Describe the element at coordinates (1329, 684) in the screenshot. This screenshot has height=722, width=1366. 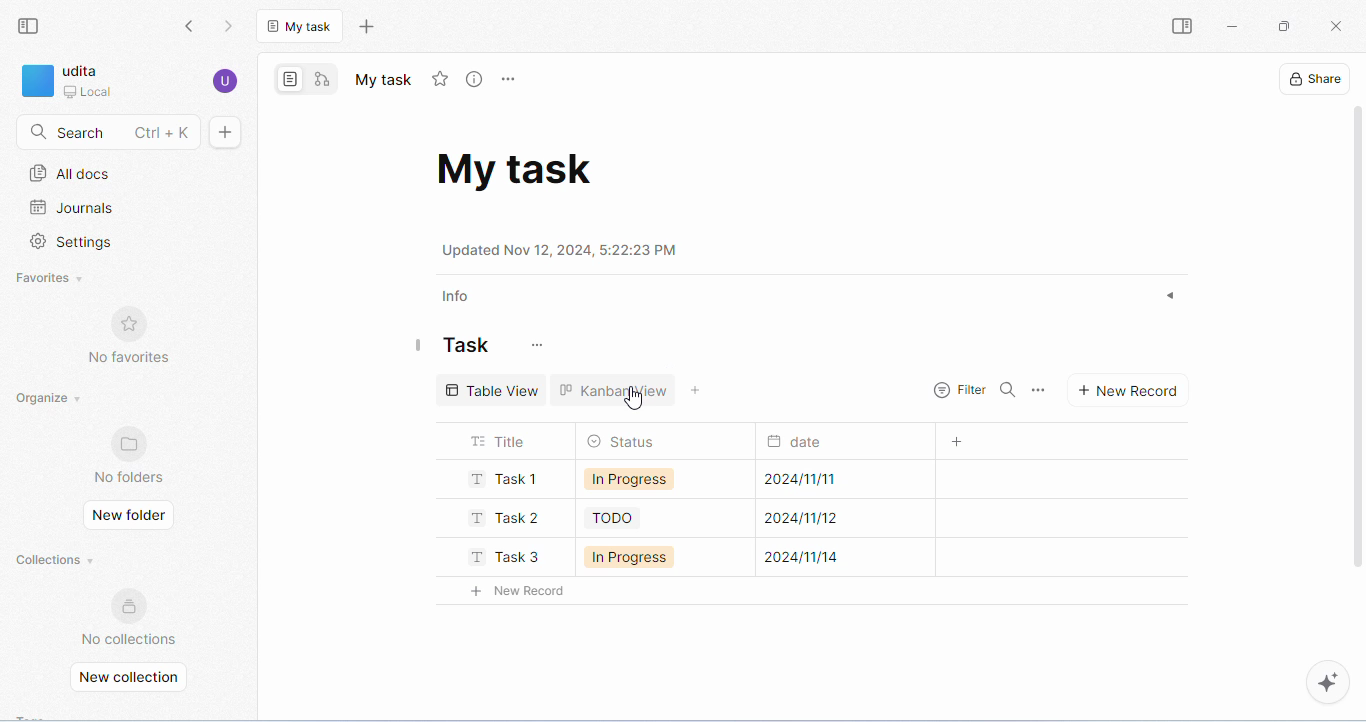
I see `affine AI assistant` at that location.